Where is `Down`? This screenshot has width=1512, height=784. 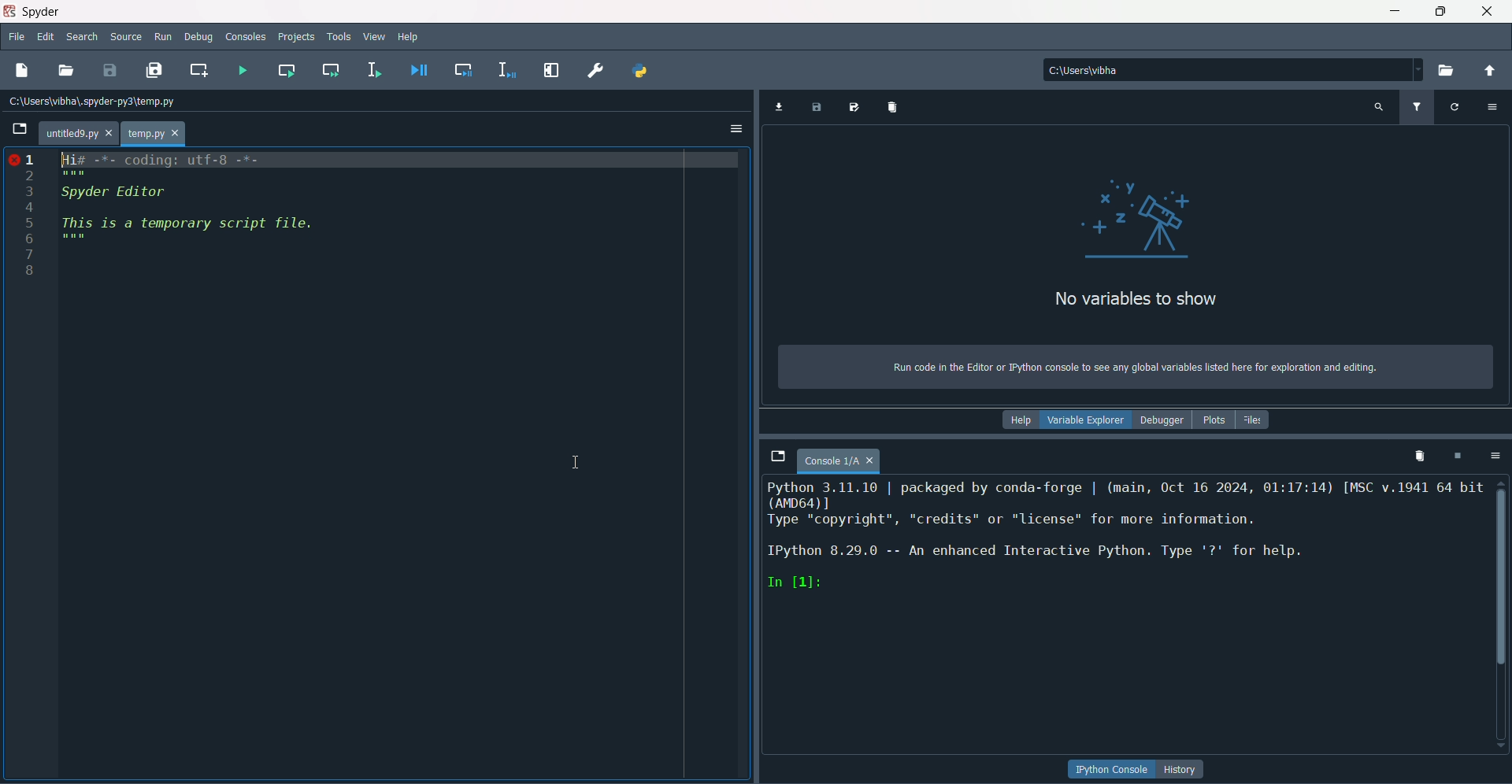 Down is located at coordinates (1496, 737).